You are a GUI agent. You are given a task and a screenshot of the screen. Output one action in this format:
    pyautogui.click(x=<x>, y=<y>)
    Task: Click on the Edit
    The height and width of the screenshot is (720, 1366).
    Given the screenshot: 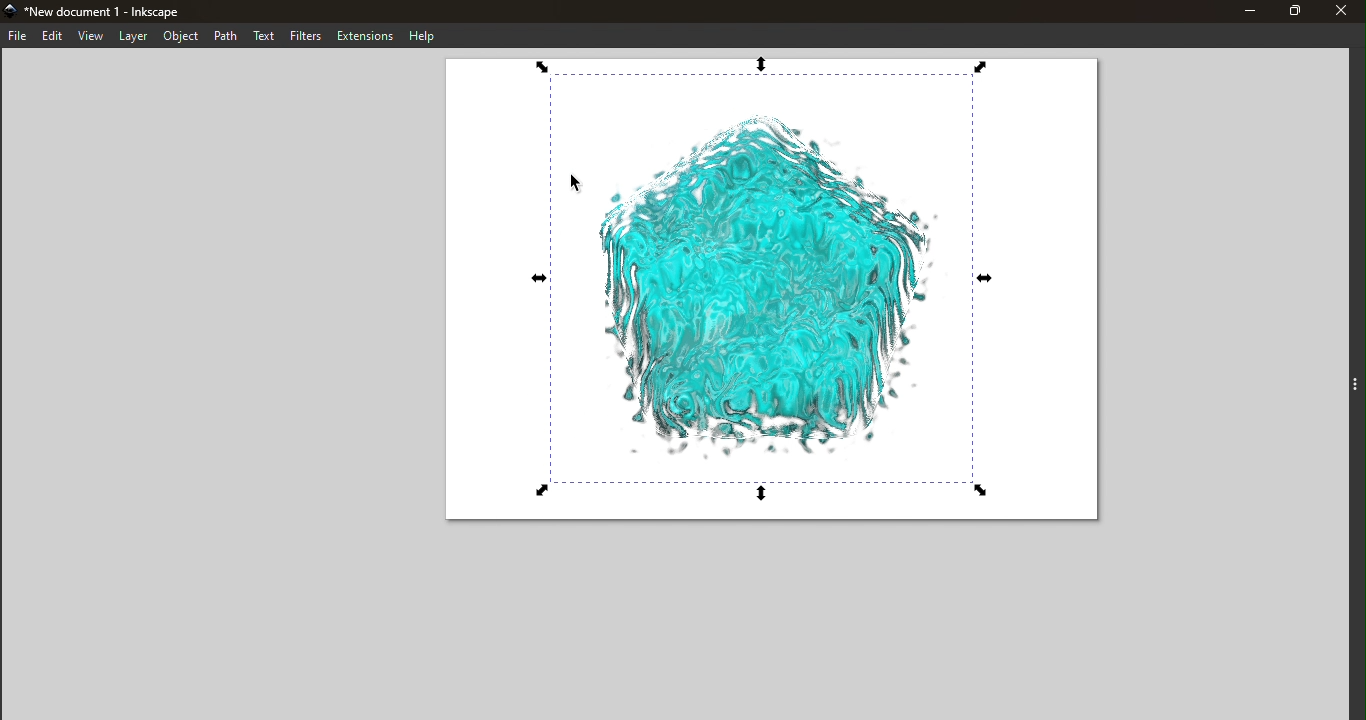 What is the action you would take?
    pyautogui.click(x=53, y=37)
    